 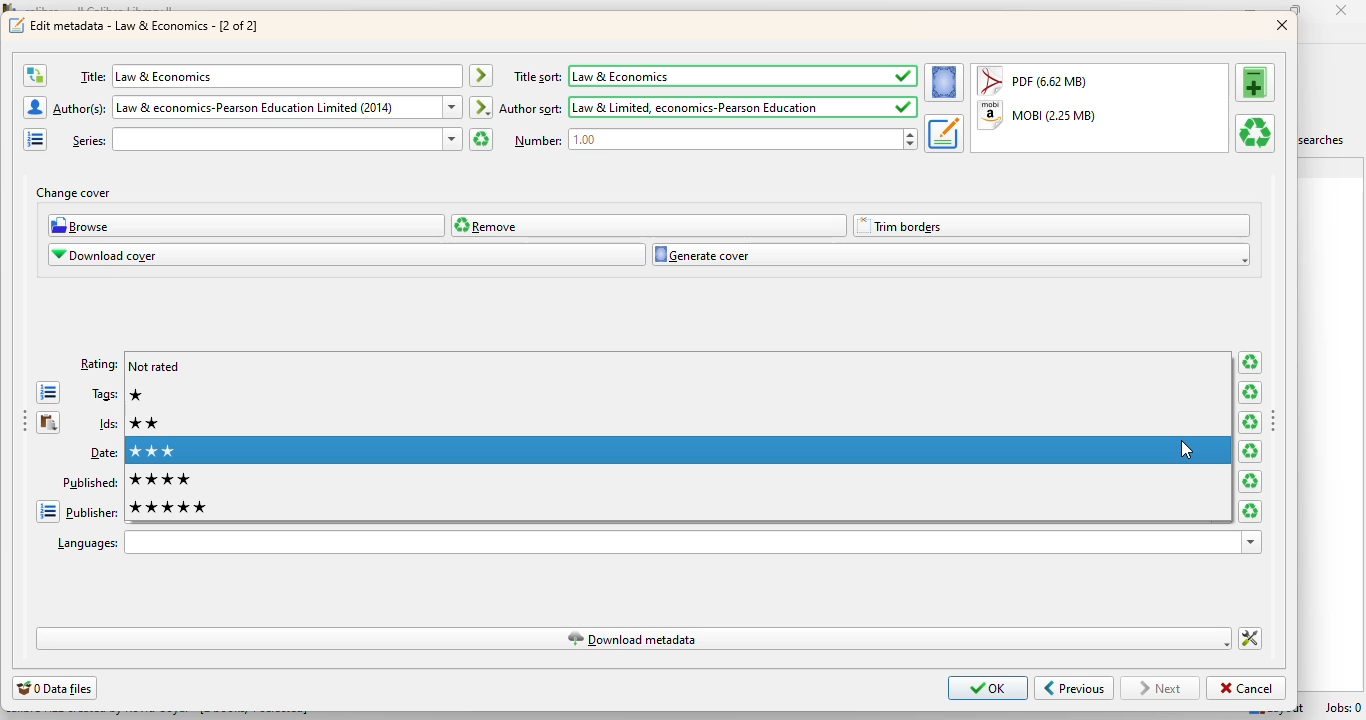 What do you see at coordinates (102, 453) in the screenshot?
I see `date: ` at bounding box center [102, 453].